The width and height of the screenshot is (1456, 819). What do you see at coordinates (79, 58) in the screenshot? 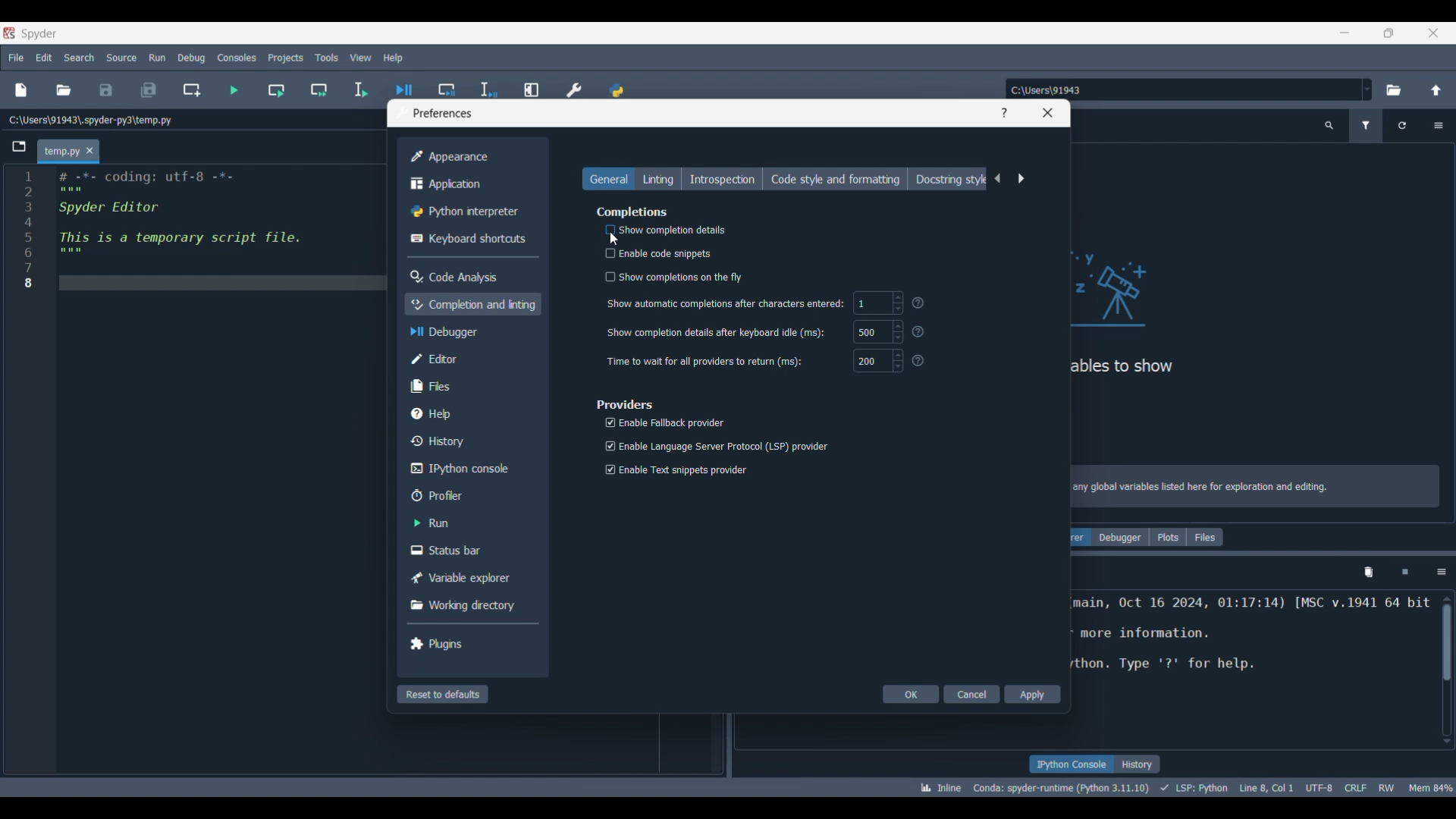
I see `Search menu` at bounding box center [79, 58].